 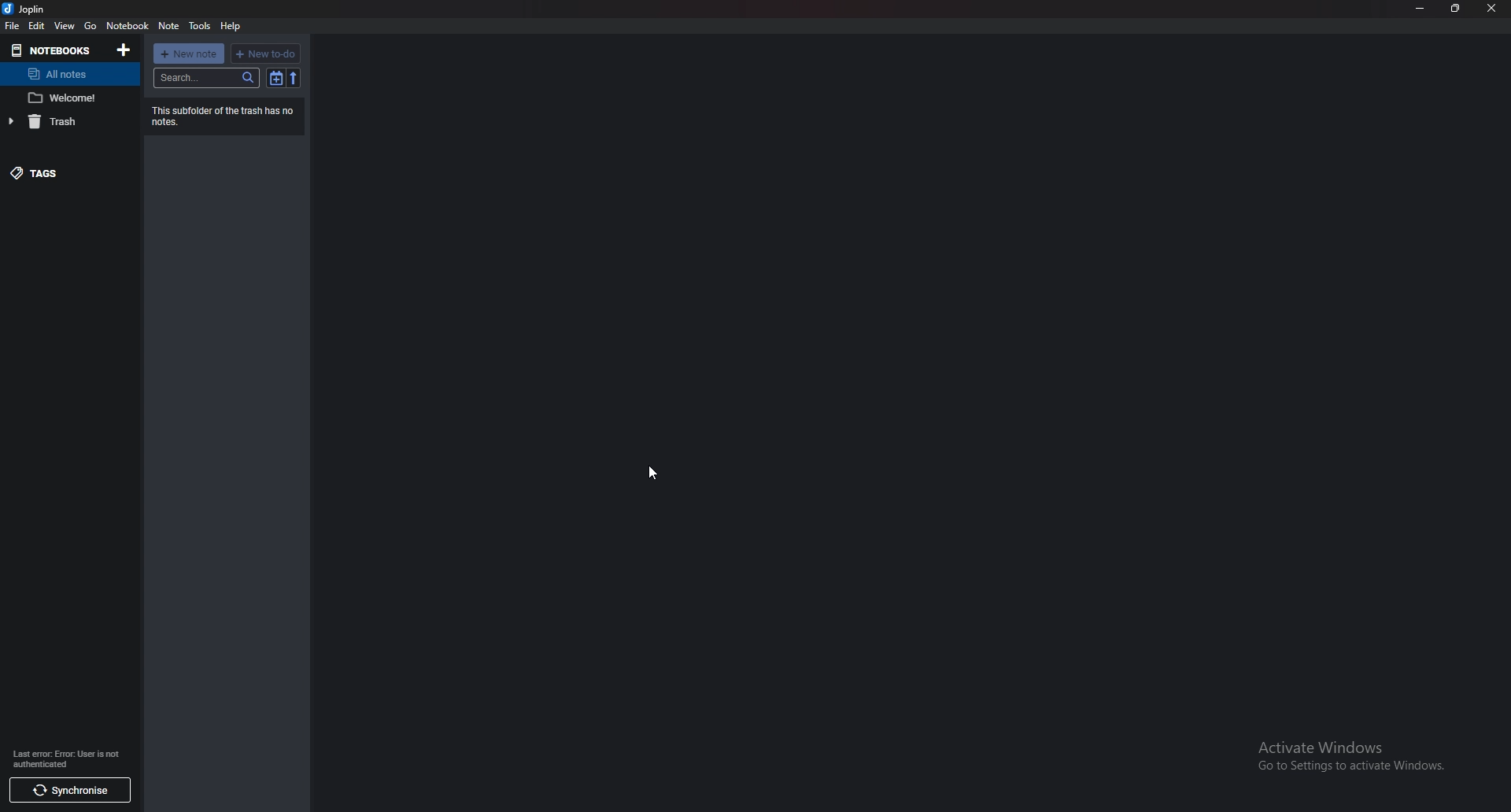 I want to click on go, so click(x=91, y=26).